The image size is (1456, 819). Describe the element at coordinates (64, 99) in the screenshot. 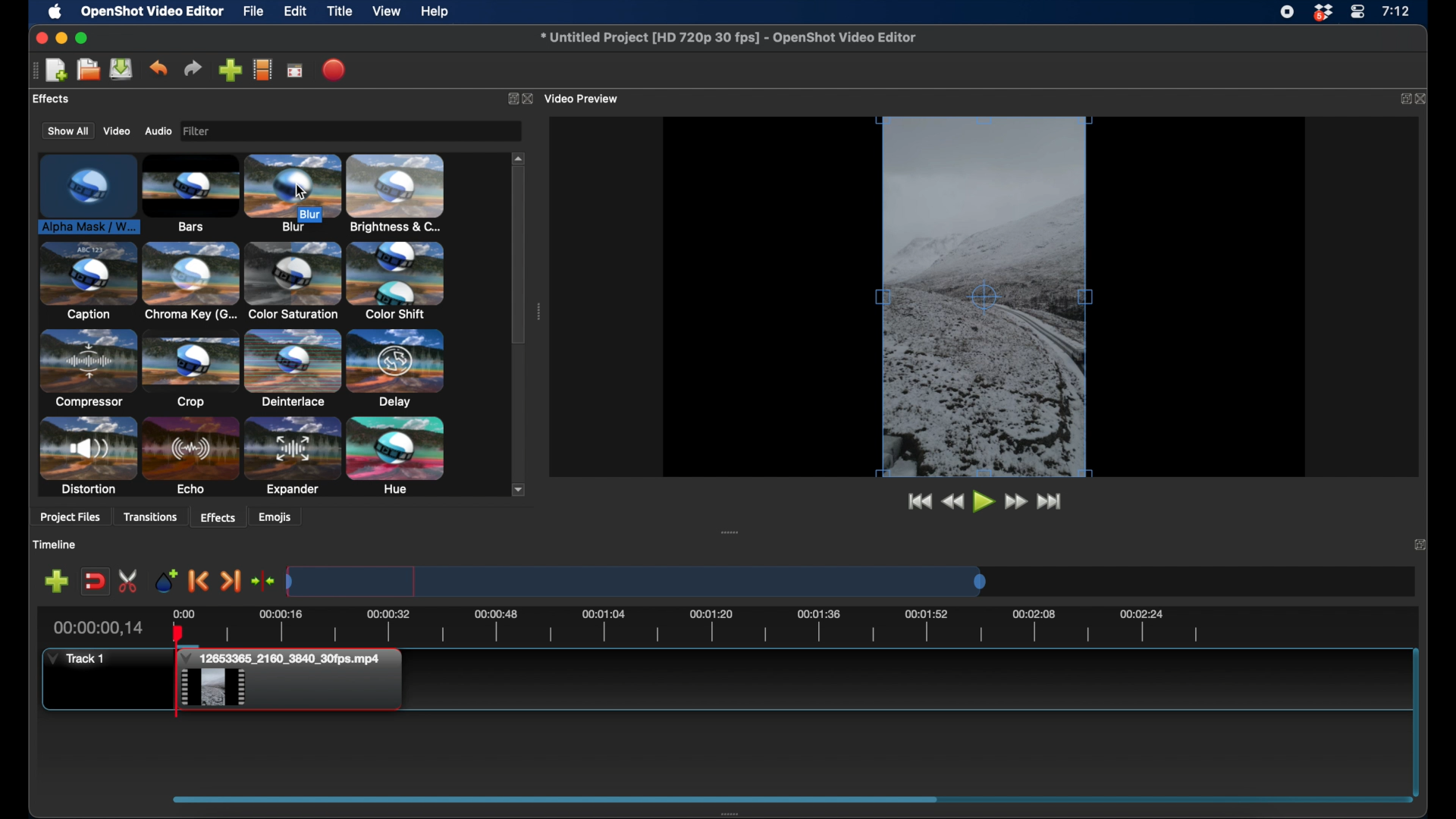

I see `project files` at that location.